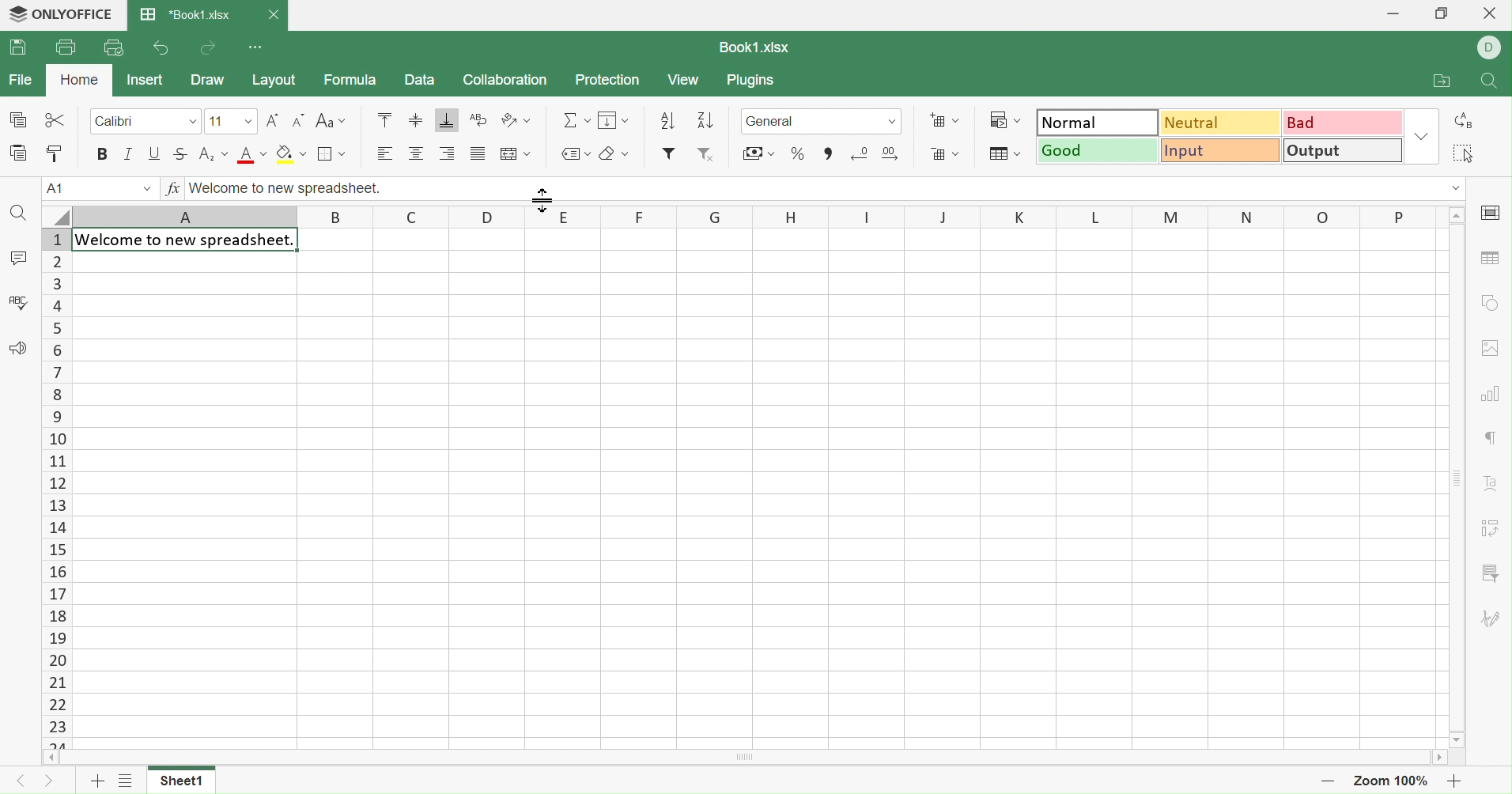 The image size is (1512, 794). What do you see at coordinates (704, 122) in the screenshot?
I see `Descending order` at bounding box center [704, 122].